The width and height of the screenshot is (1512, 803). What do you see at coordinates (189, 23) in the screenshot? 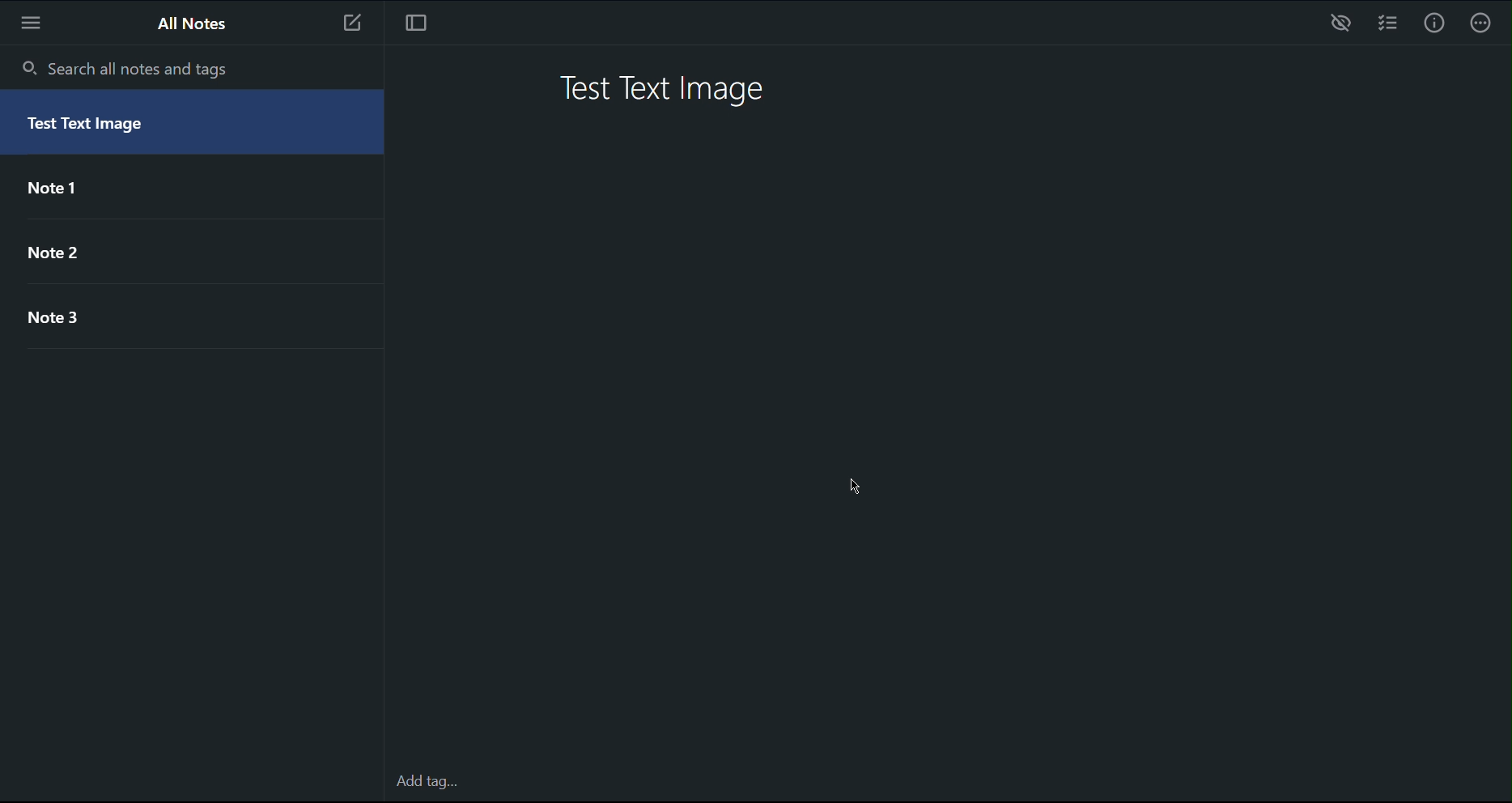
I see `All Notes` at bounding box center [189, 23].